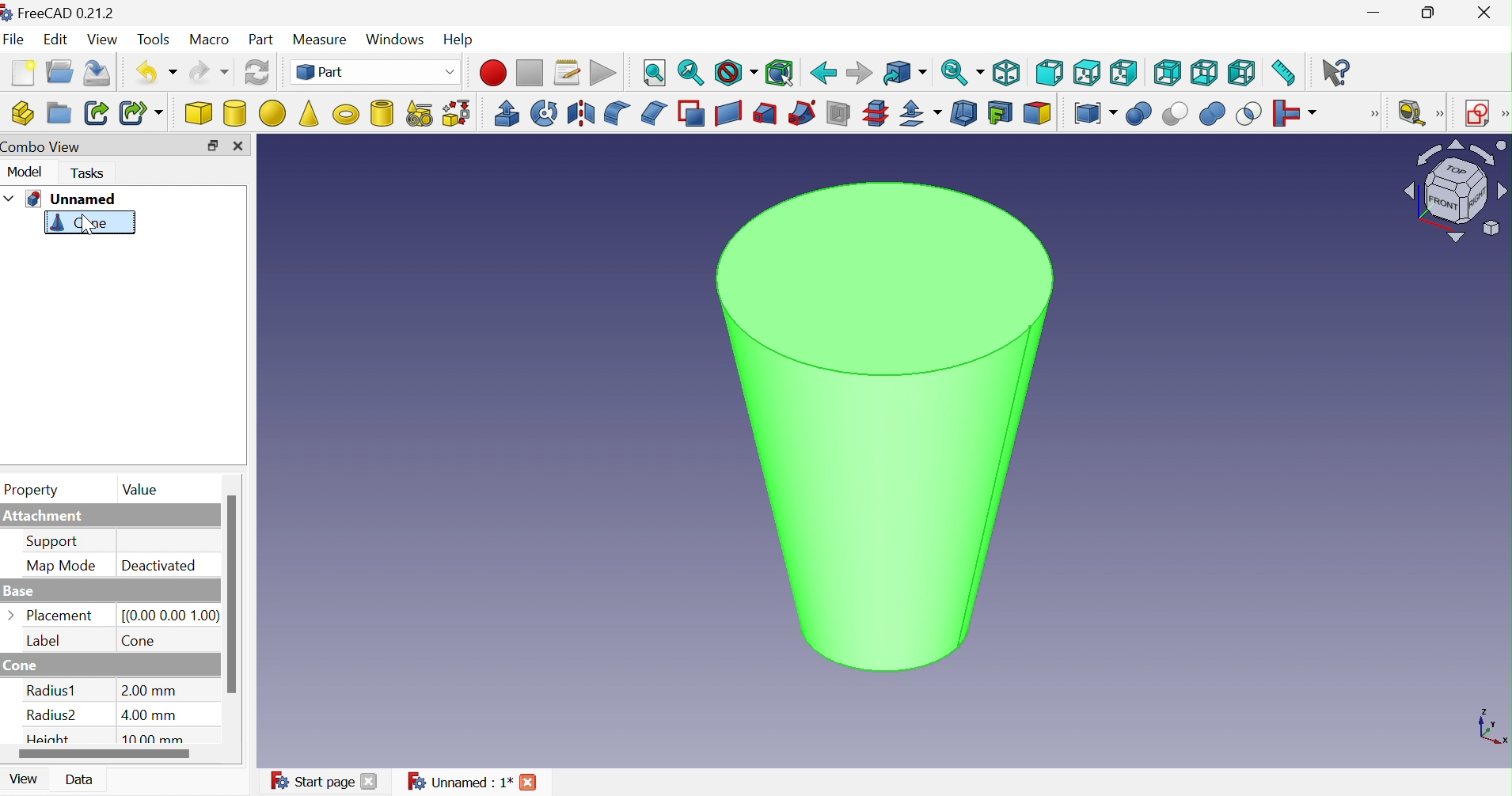 The image size is (1512, 796). I want to click on Back, so click(822, 74).